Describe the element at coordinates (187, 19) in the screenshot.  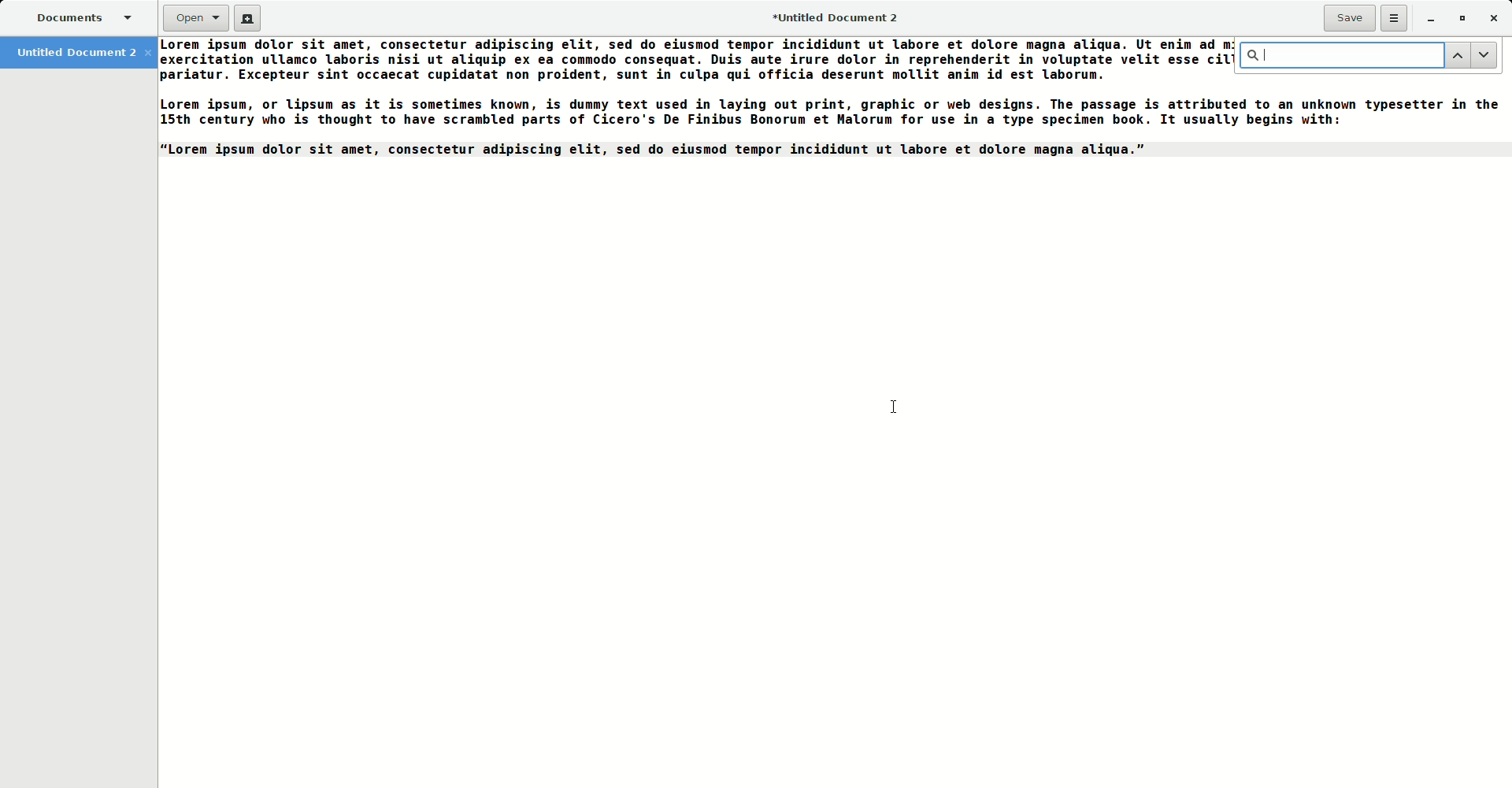
I see `Open` at that location.